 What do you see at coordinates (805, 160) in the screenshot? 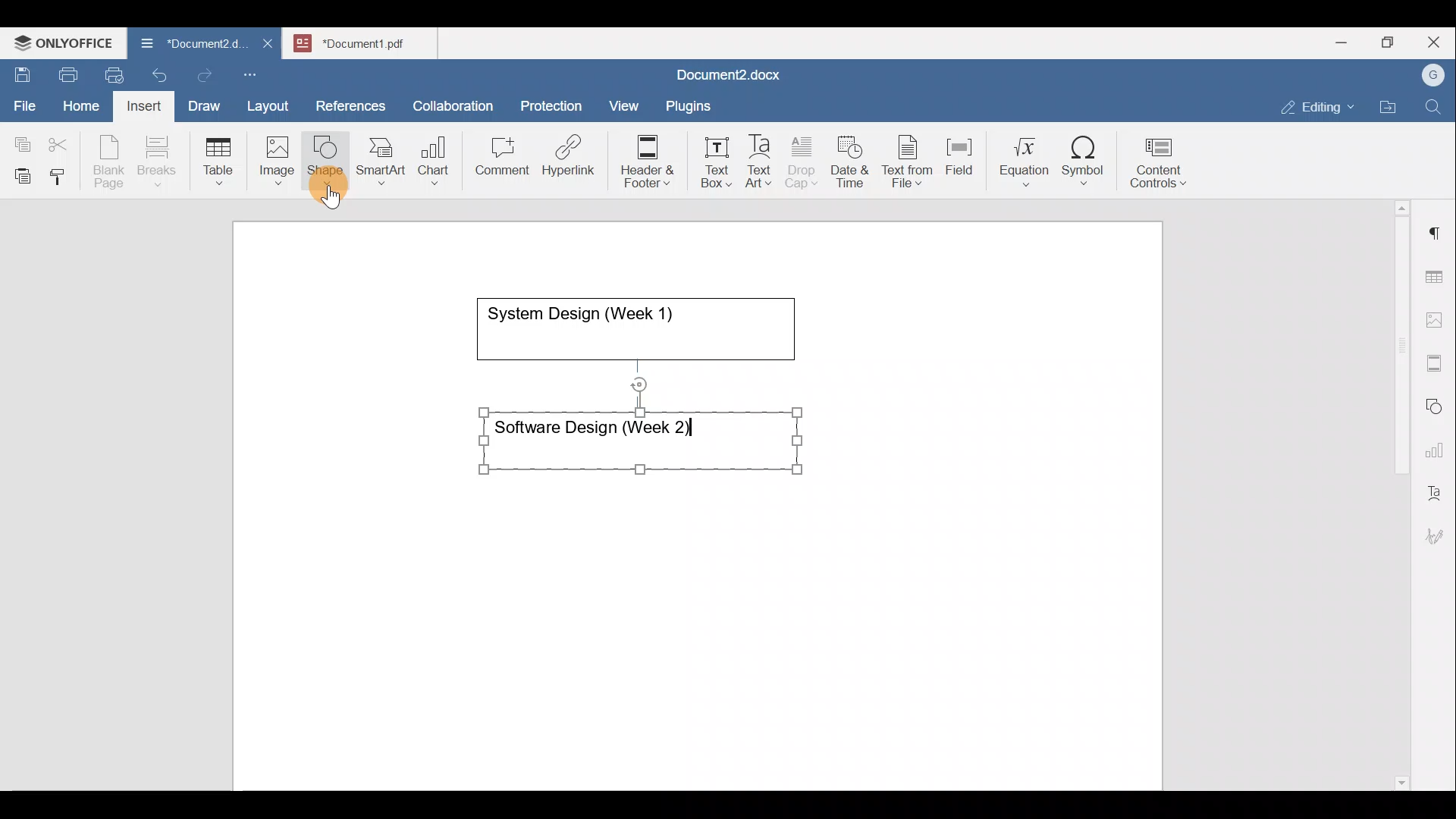
I see `Drop cap` at bounding box center [805, 160].